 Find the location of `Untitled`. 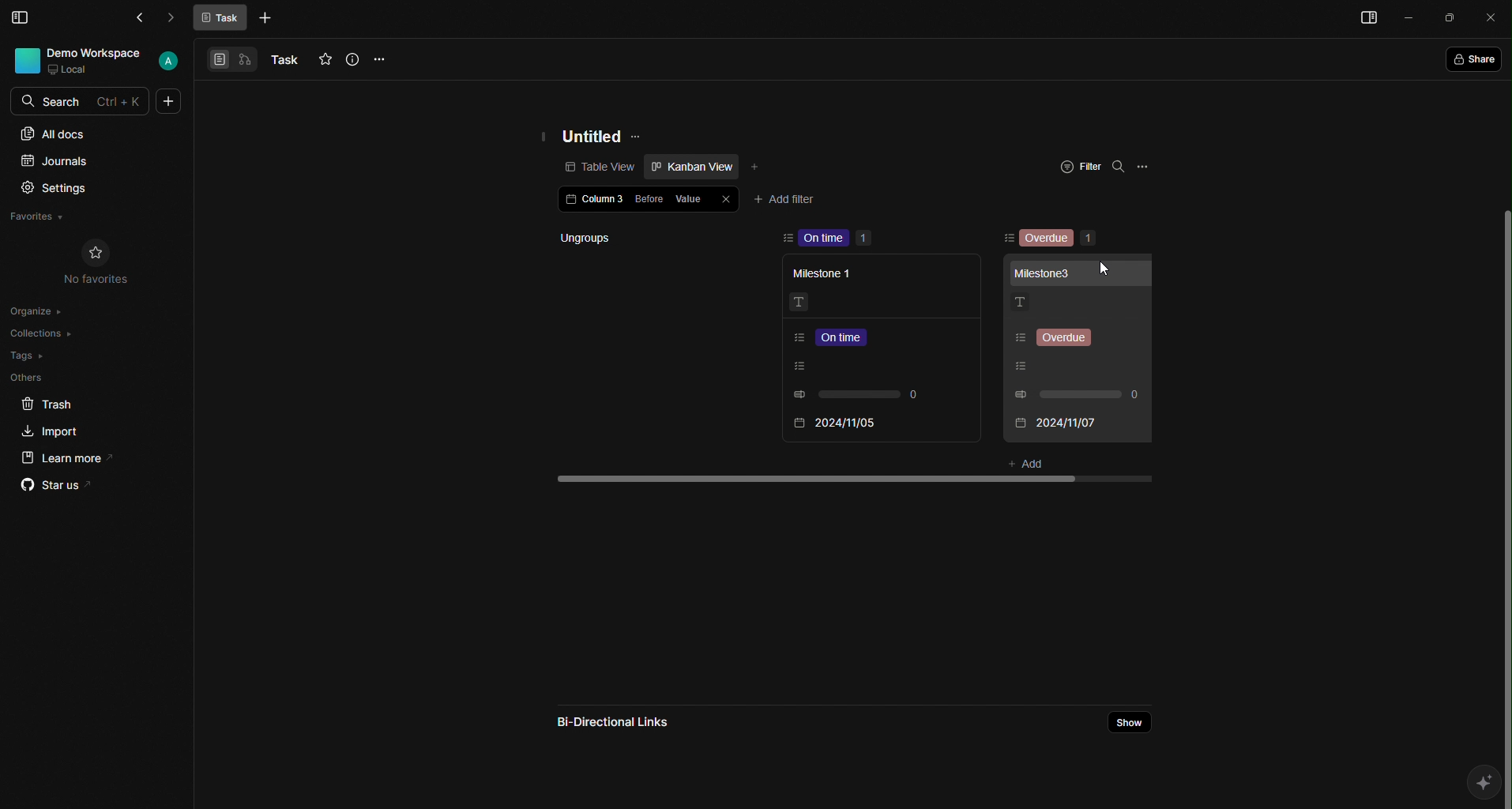

Untitled is located at coordinates (592, 134).